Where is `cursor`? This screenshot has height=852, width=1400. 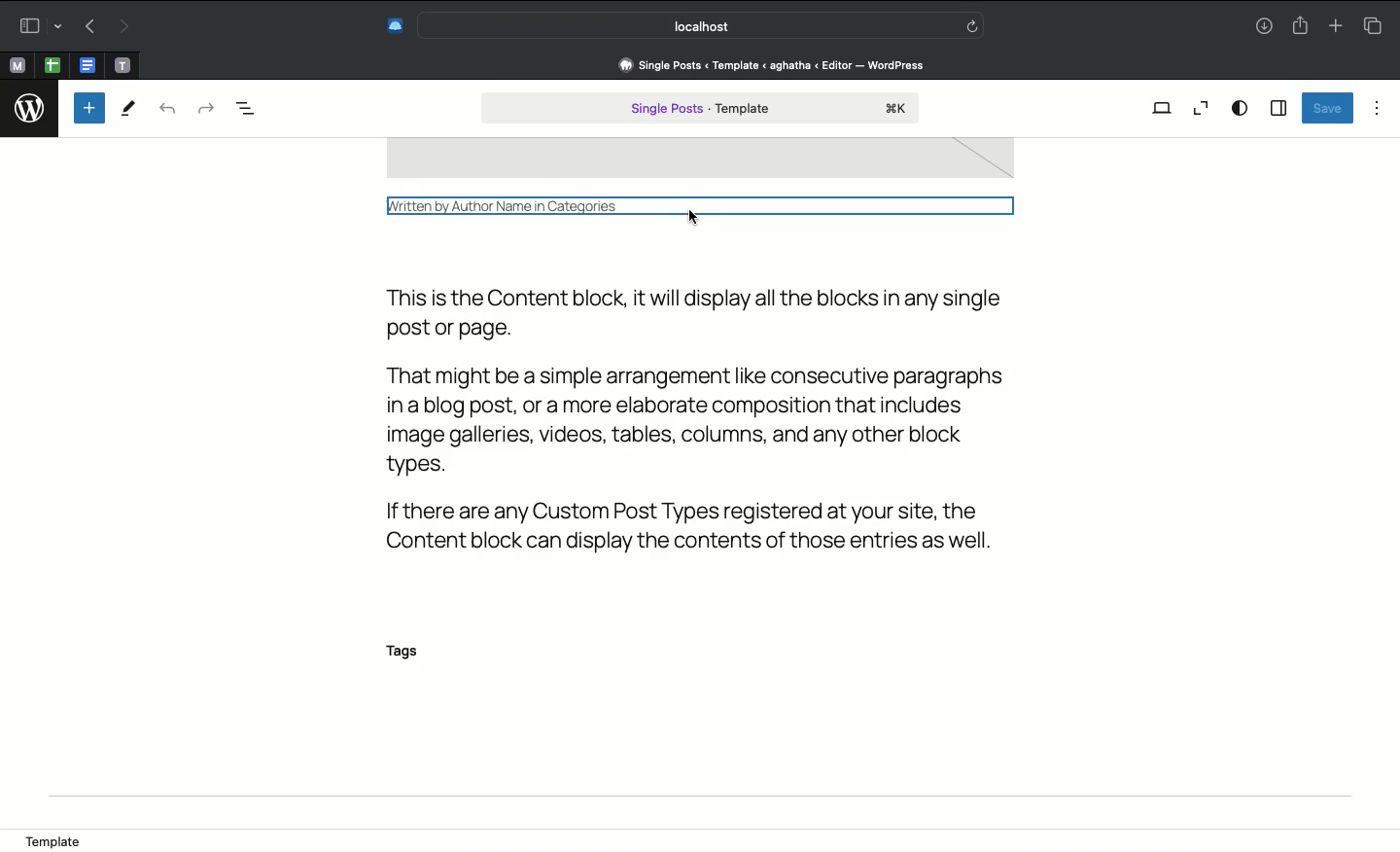
cursor is located at coordinates (698, 226).